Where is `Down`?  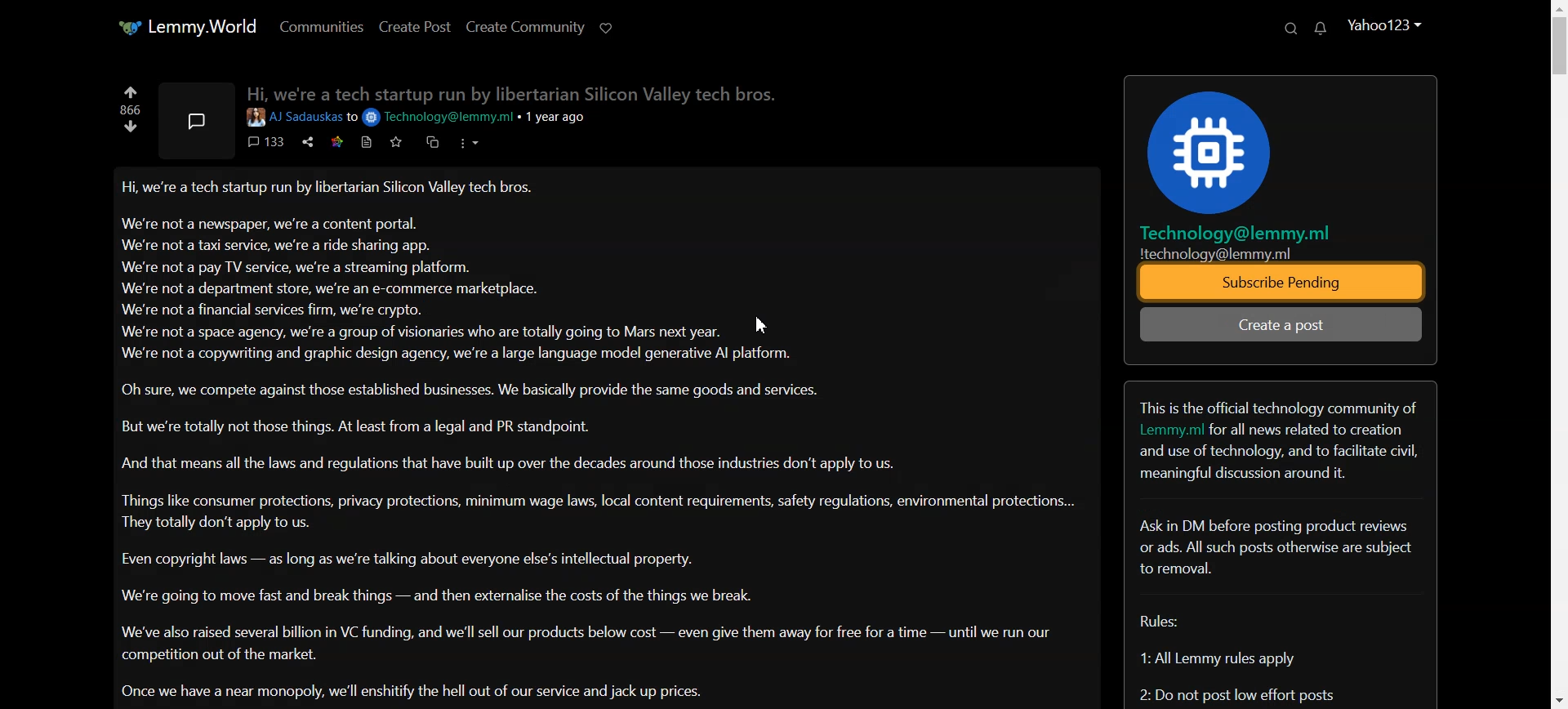 Down is located at coordinates (129, 127).